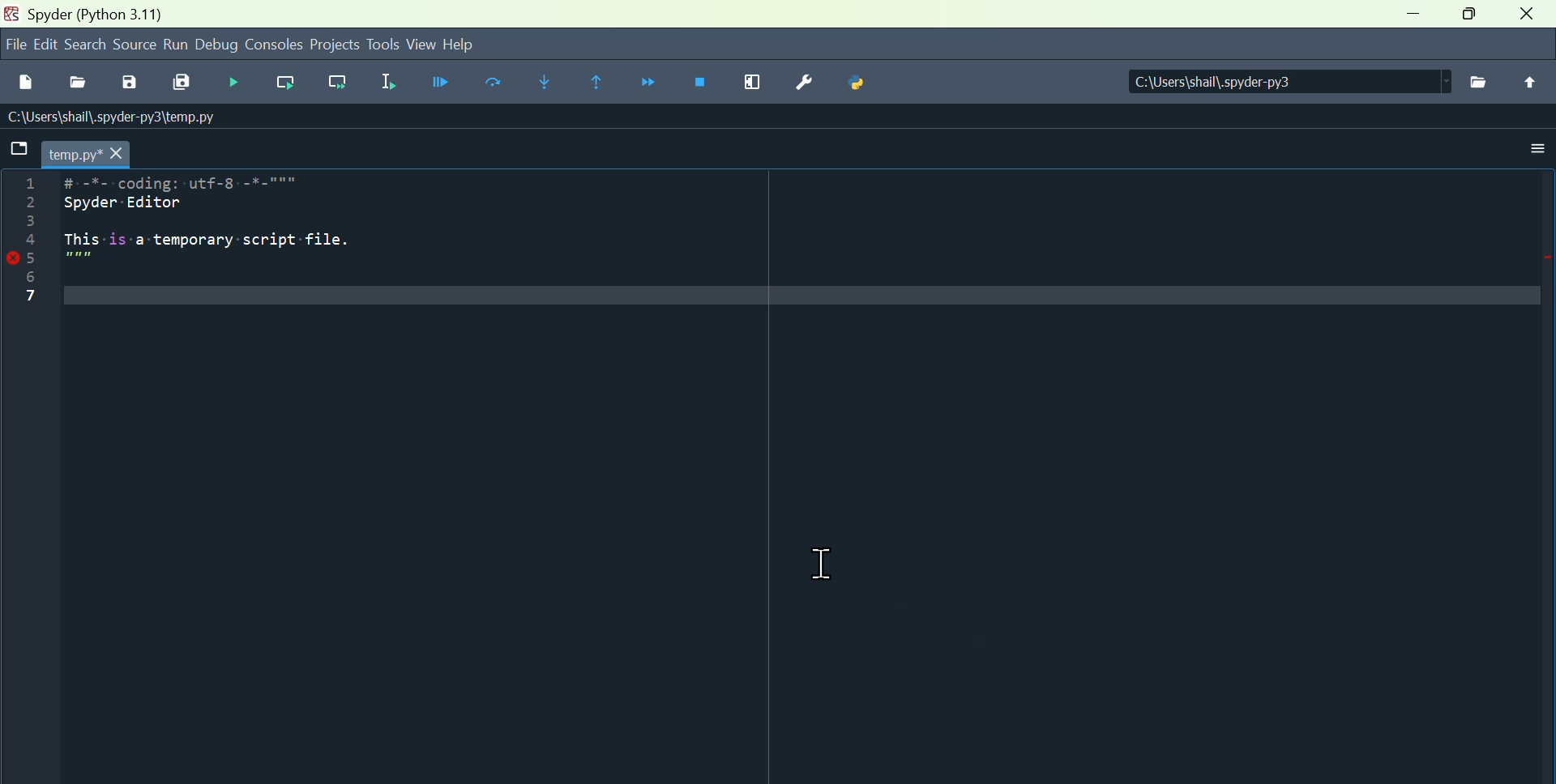 This screenshot has width=1556, height=784. What do you see at coordinates (275, 43) in the screenshot?
I see `Consoles` at bounding box center [275, 43].